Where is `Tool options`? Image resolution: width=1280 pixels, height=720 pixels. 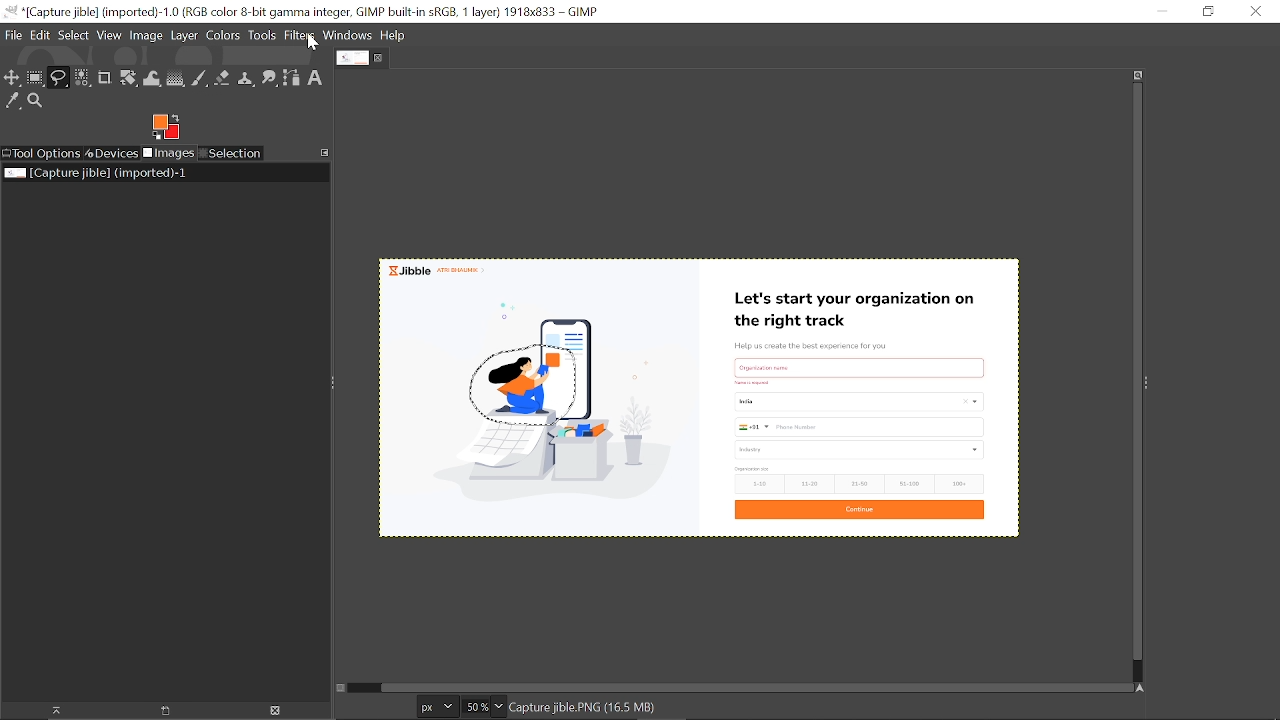
Tool options is located at coordinates (41, 154).